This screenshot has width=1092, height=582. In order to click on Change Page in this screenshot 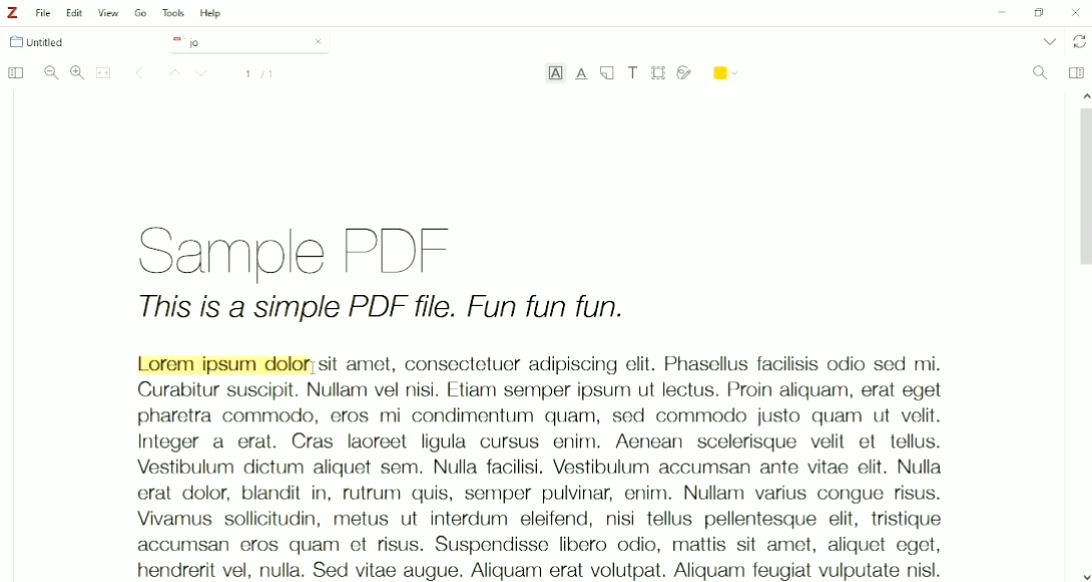, I will do `click(139, 74)`.